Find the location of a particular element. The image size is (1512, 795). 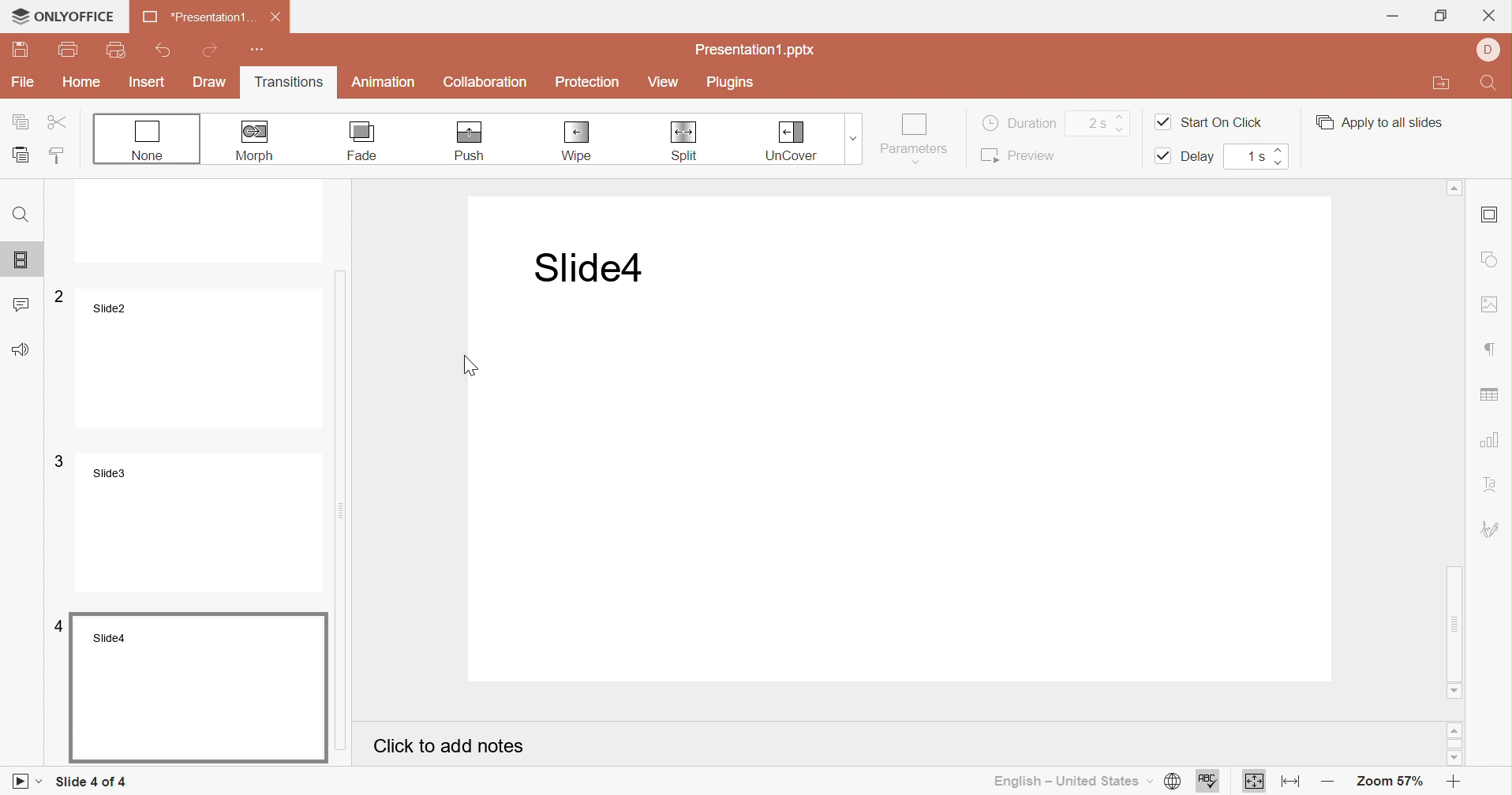

Start On Click is located at coordinates (1209, 121).